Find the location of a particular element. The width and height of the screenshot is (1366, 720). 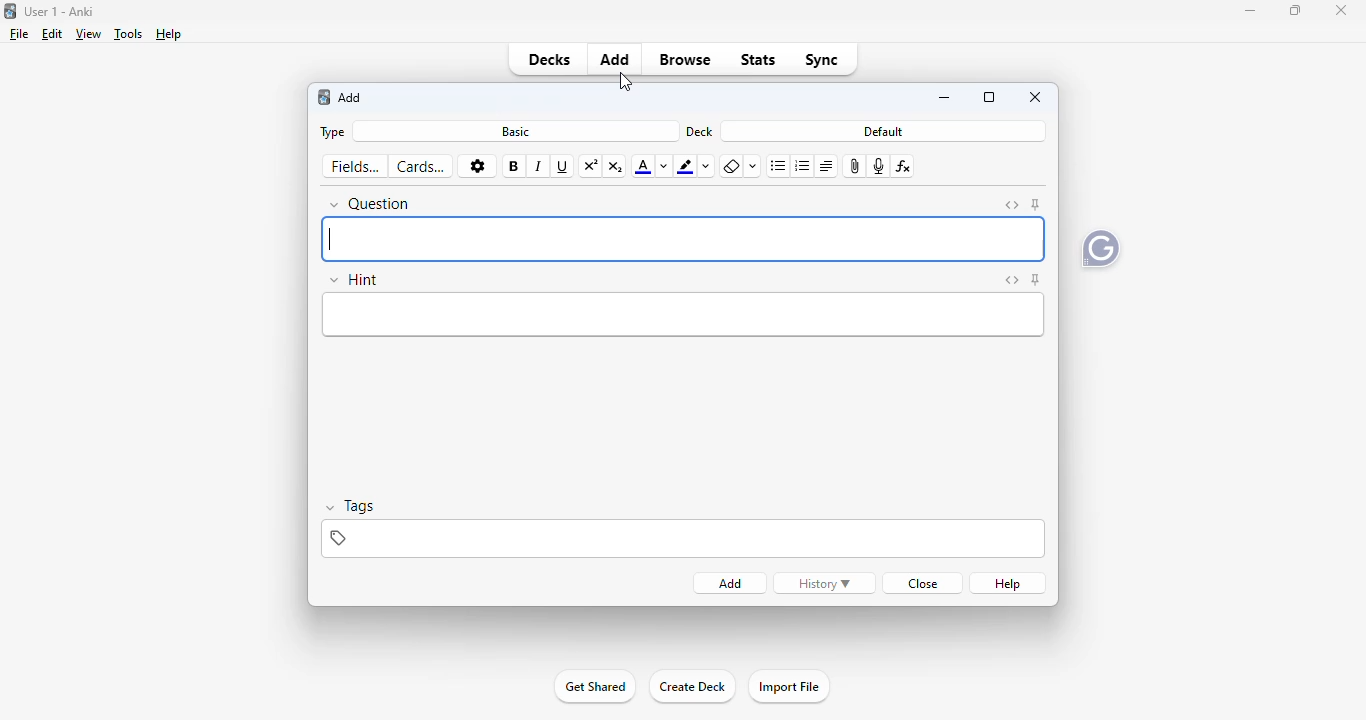

view is located at coordinates (89, 35).